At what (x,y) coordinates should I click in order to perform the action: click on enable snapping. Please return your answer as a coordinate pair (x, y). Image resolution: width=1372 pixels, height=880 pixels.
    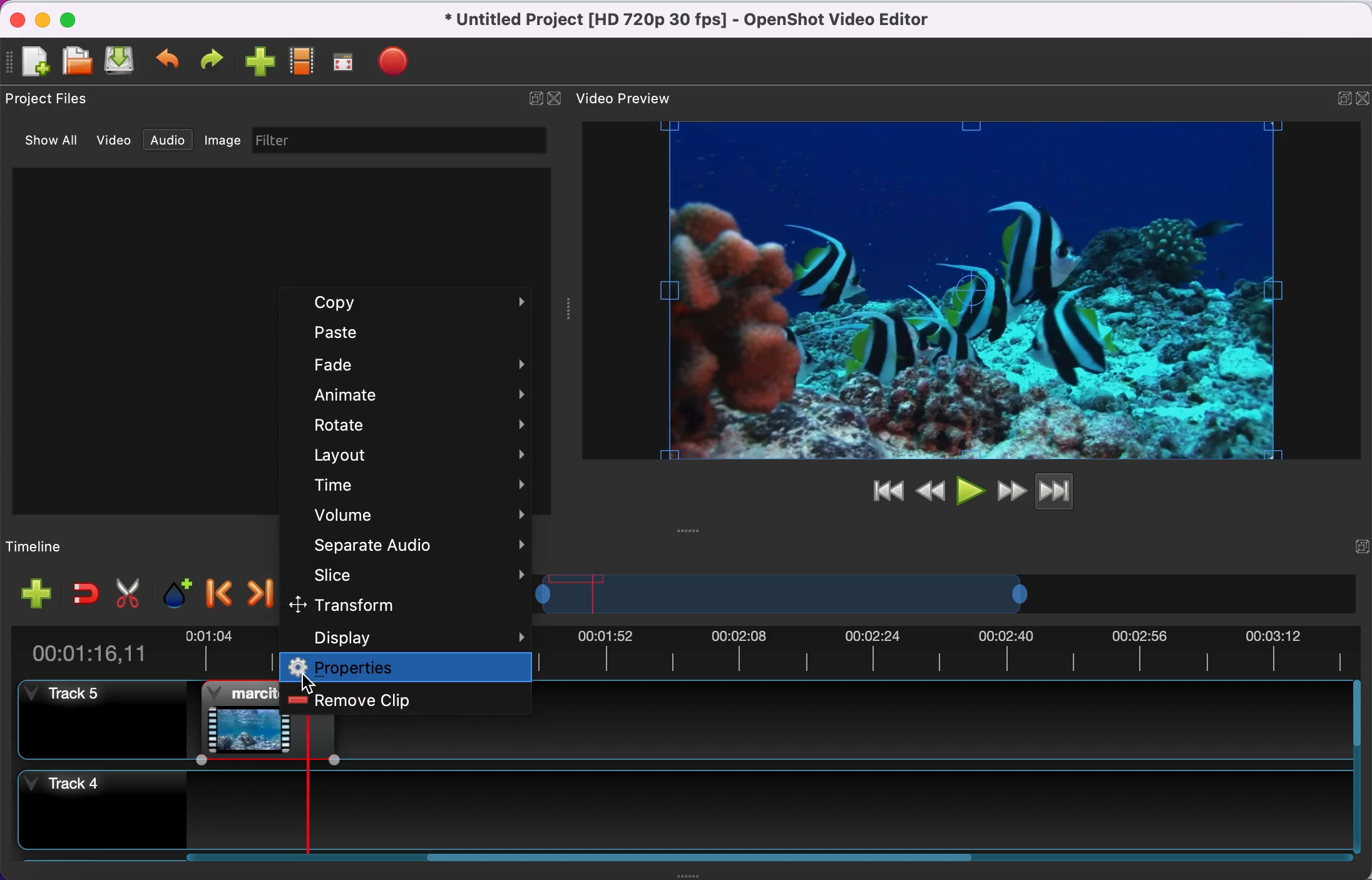
    Looking at the image, I should click on (79, 594).